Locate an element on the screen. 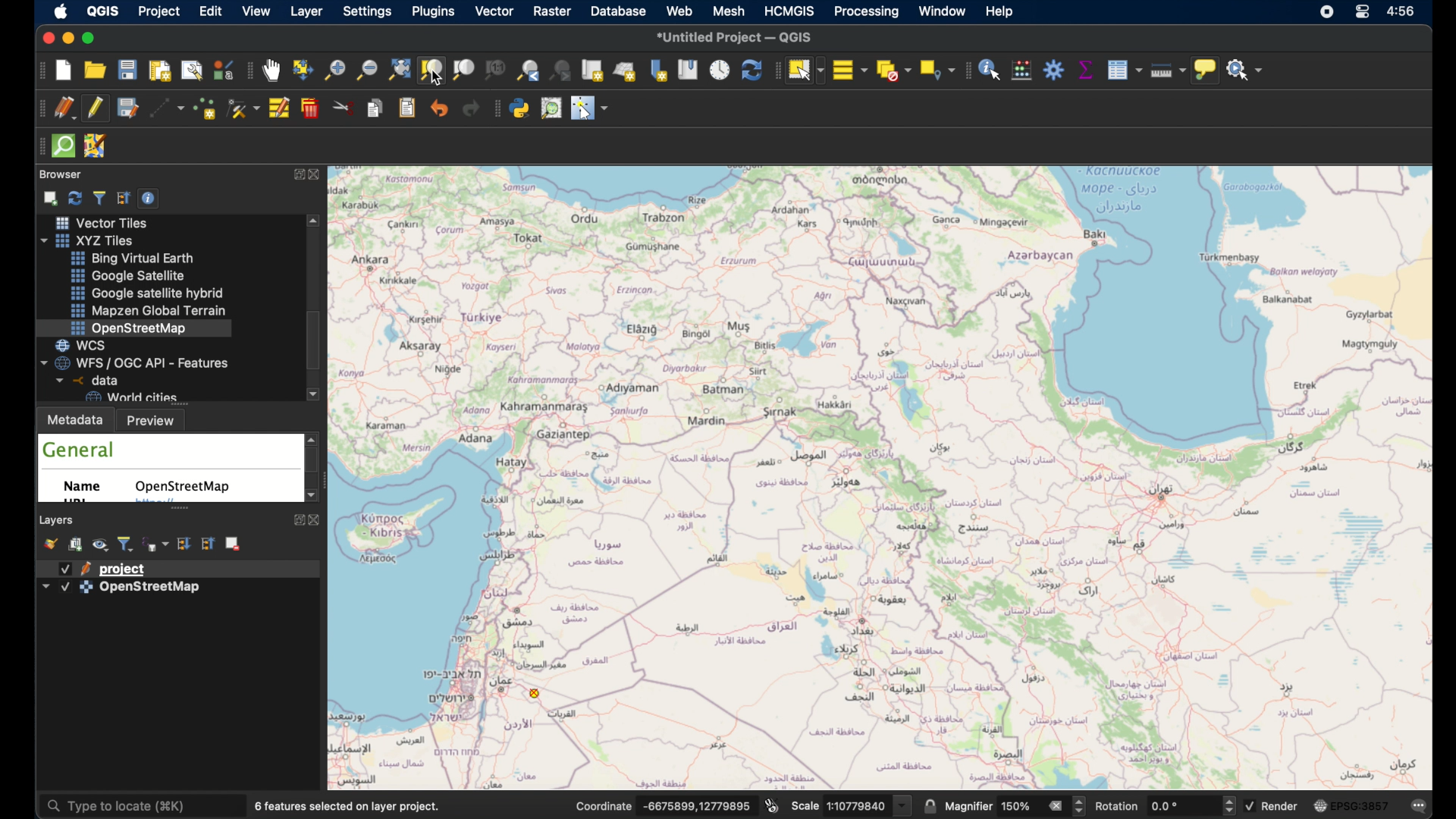 This screenshot has width=1456, height=819. toggle editing is located at coordinates (98, 108).